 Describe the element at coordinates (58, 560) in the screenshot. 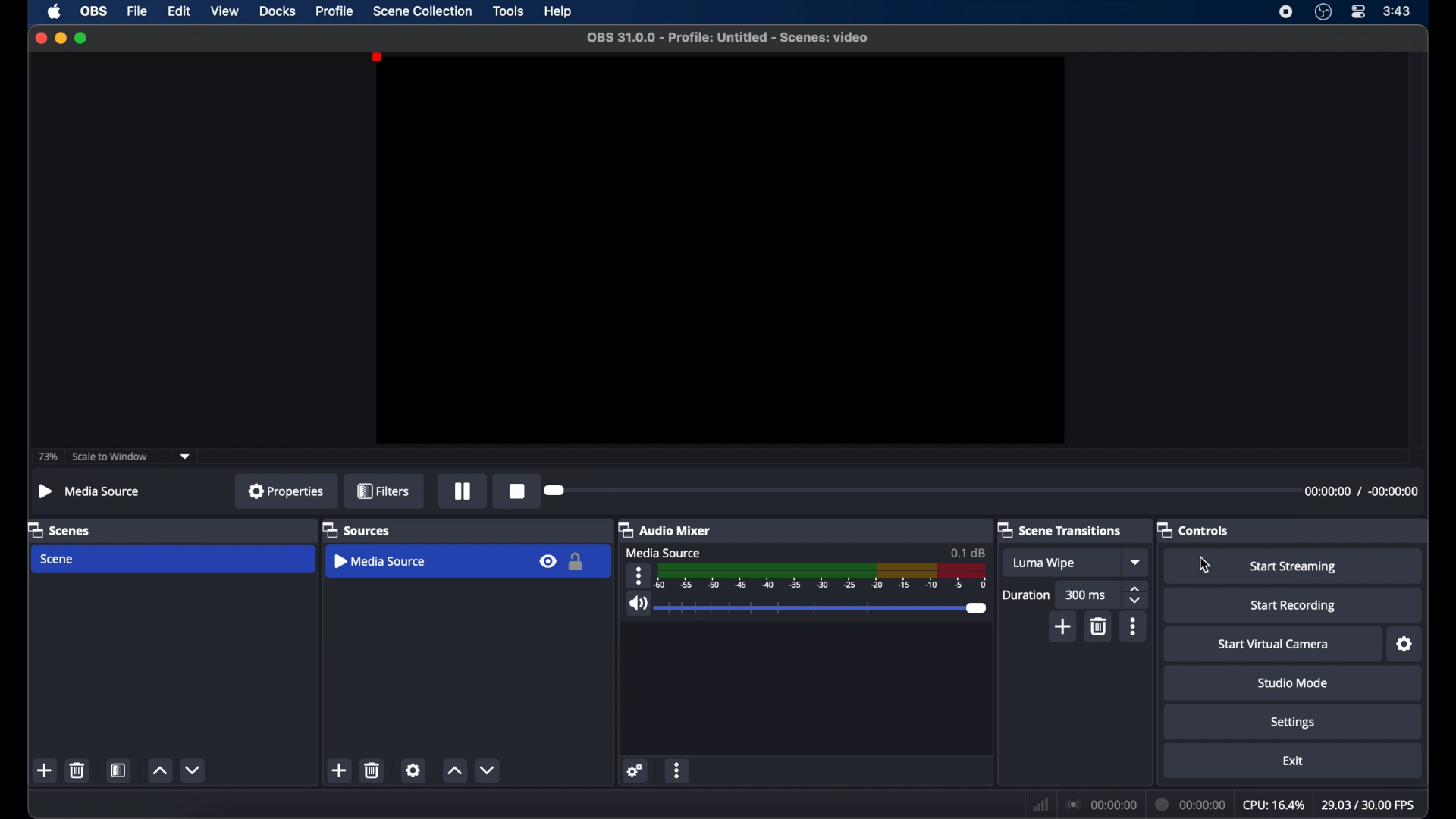

I see `scene` at that location.